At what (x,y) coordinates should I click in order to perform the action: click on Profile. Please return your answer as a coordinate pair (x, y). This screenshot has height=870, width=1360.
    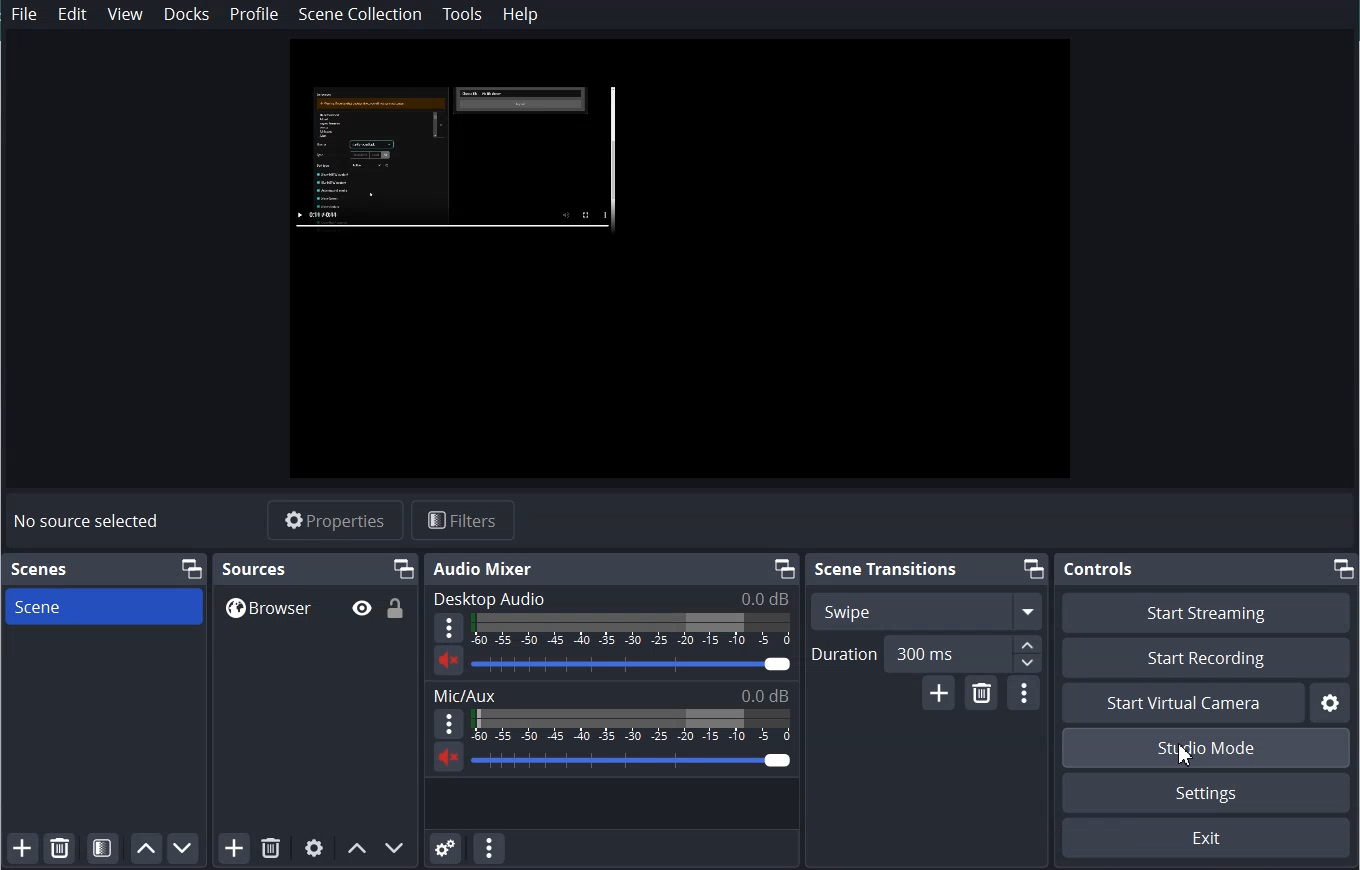
    Looking at the image, I should click on (253, 14).